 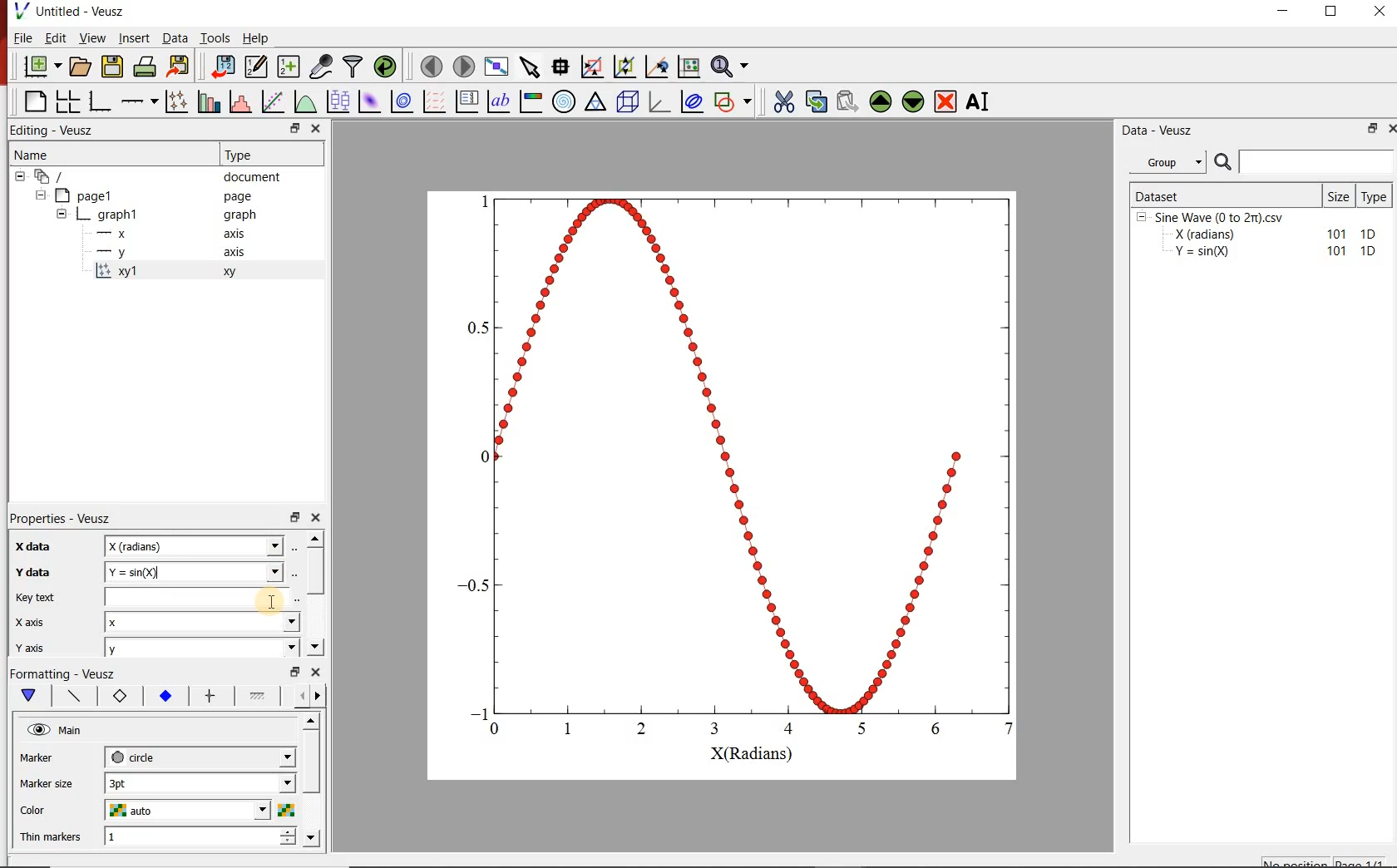 I want to click on histogram, so click(x=242, y=101).